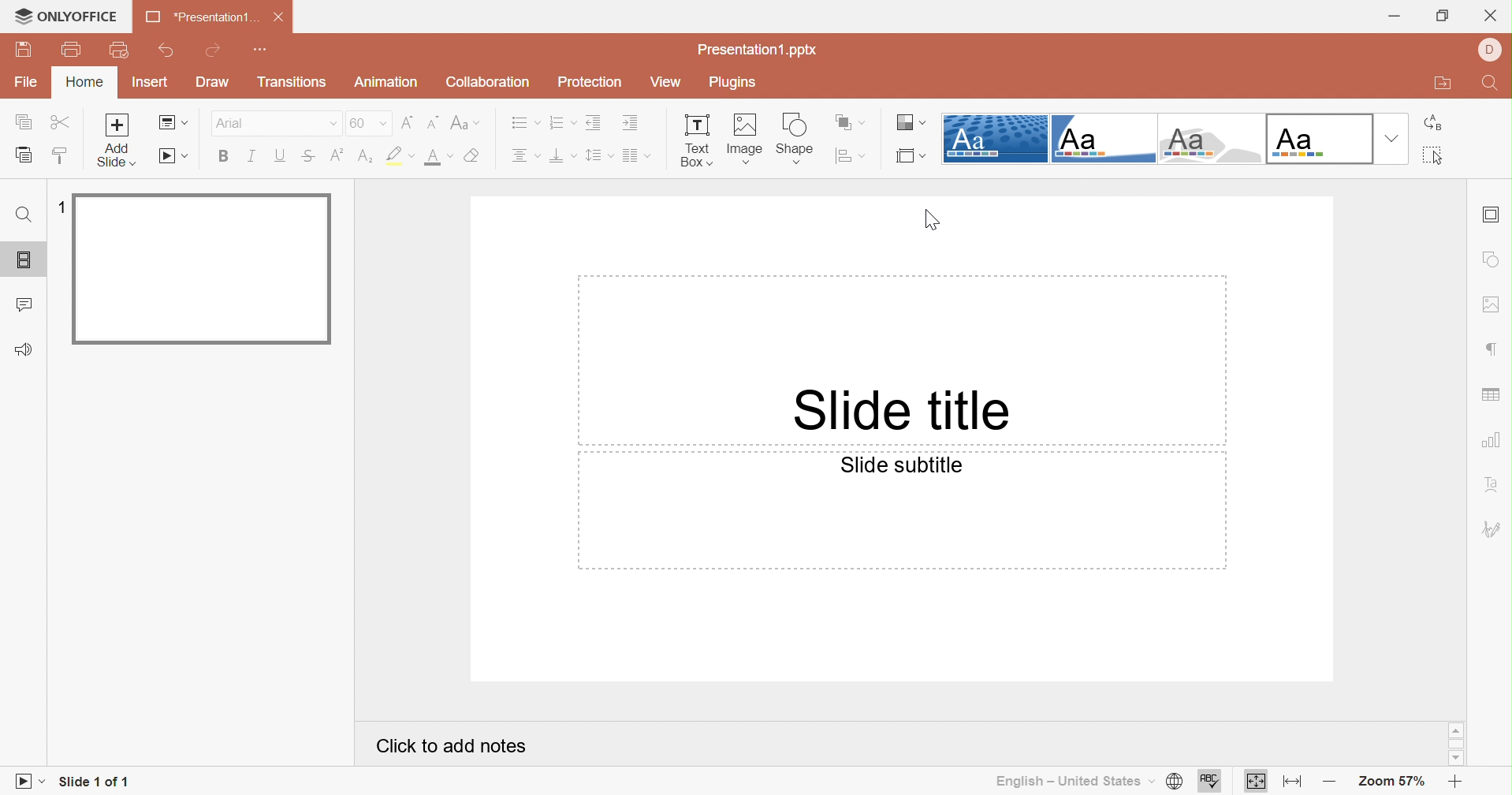 This screenshot has height=795, width=1512. I want to click on Save, so click(24, 50).